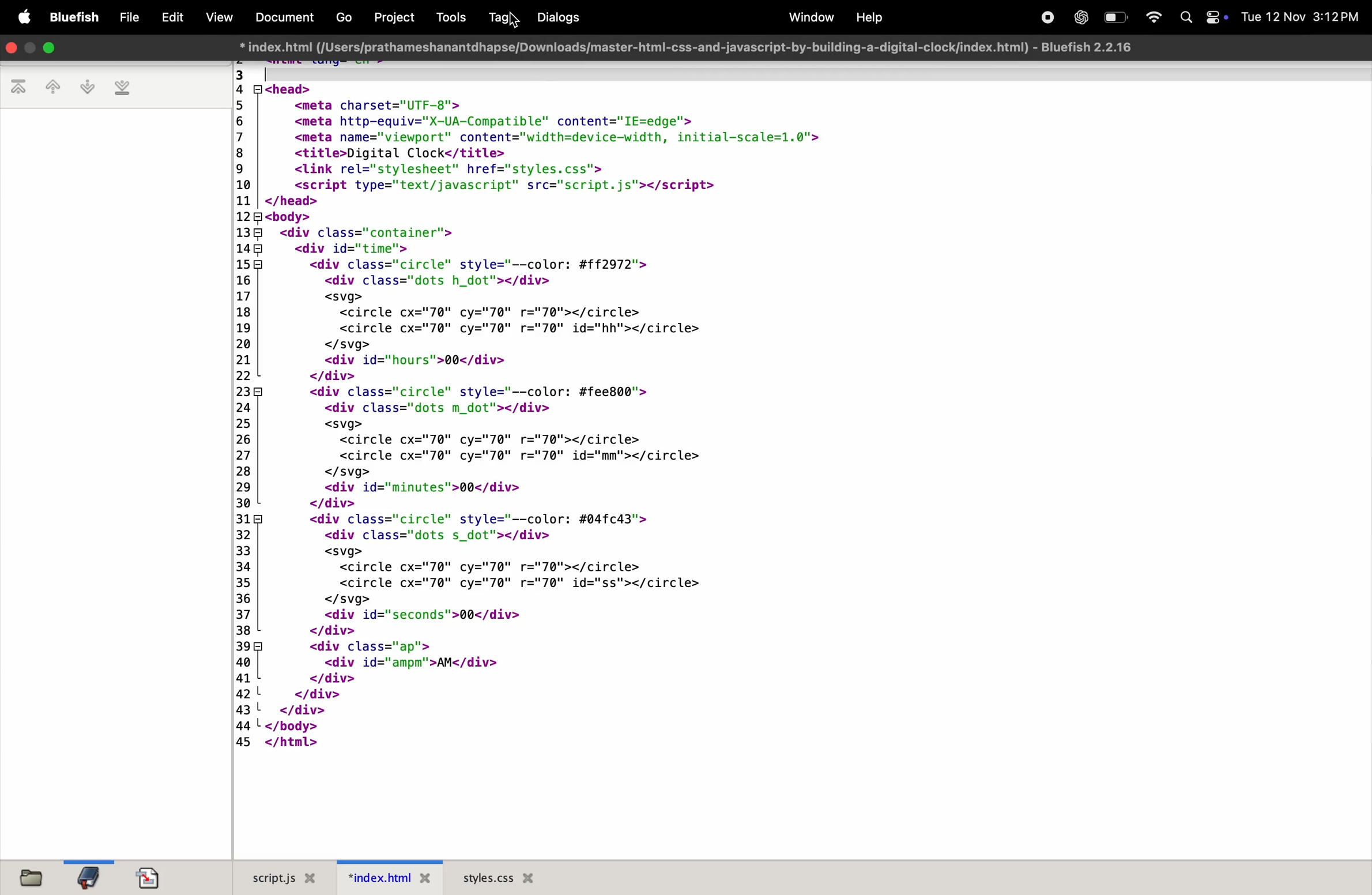 This screenshot has width=1372, height=895. Describe the element at coordinates (499, 877) in the screenshot. I see `styles.css` at that location.